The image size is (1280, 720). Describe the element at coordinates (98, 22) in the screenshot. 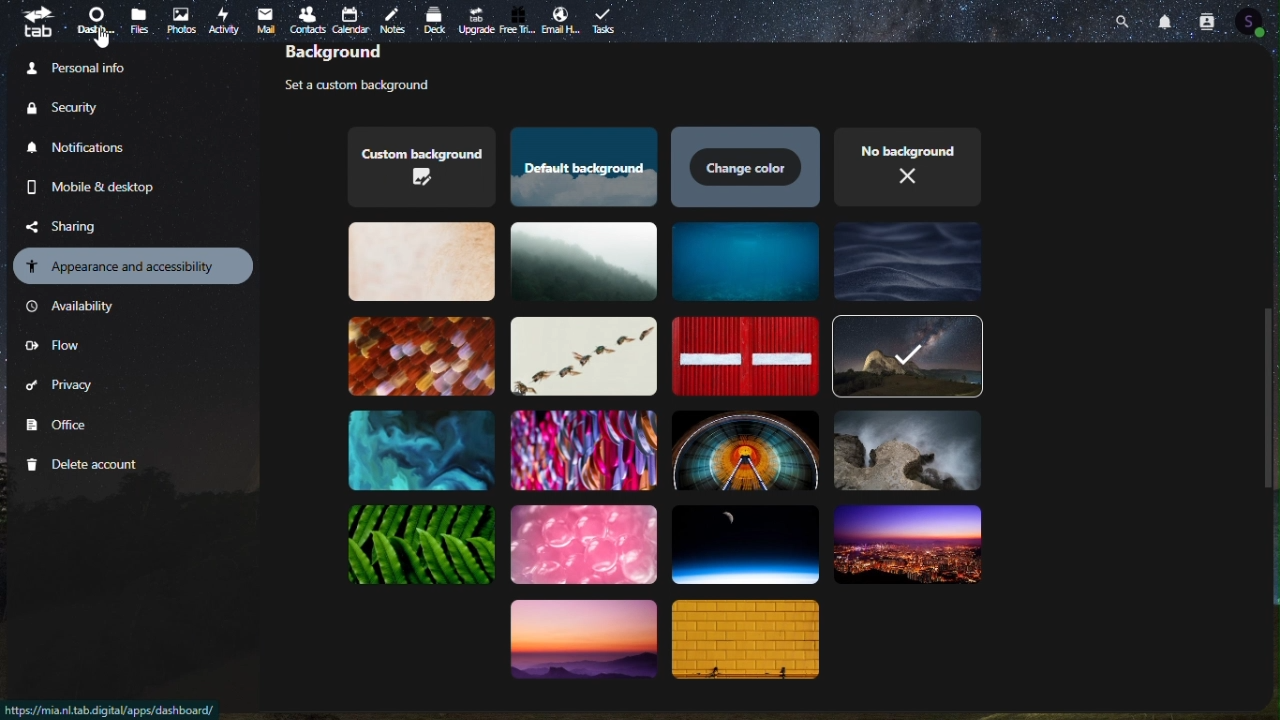

I see `dashboard` at that location.